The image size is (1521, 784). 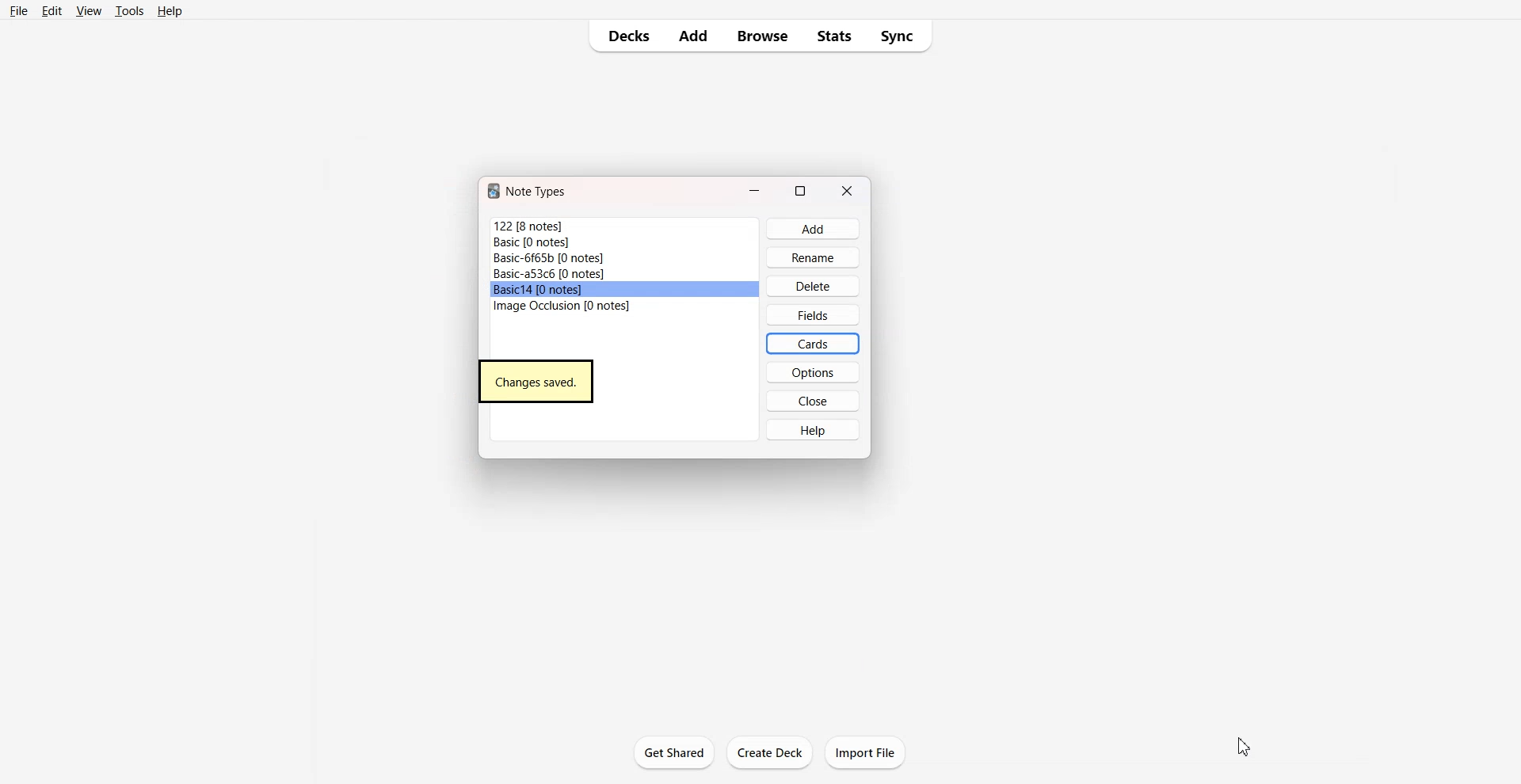 What do you see at coordinates (675, 752) in the screenshot?
I see `Get Started` at bounding box center [675, 752].